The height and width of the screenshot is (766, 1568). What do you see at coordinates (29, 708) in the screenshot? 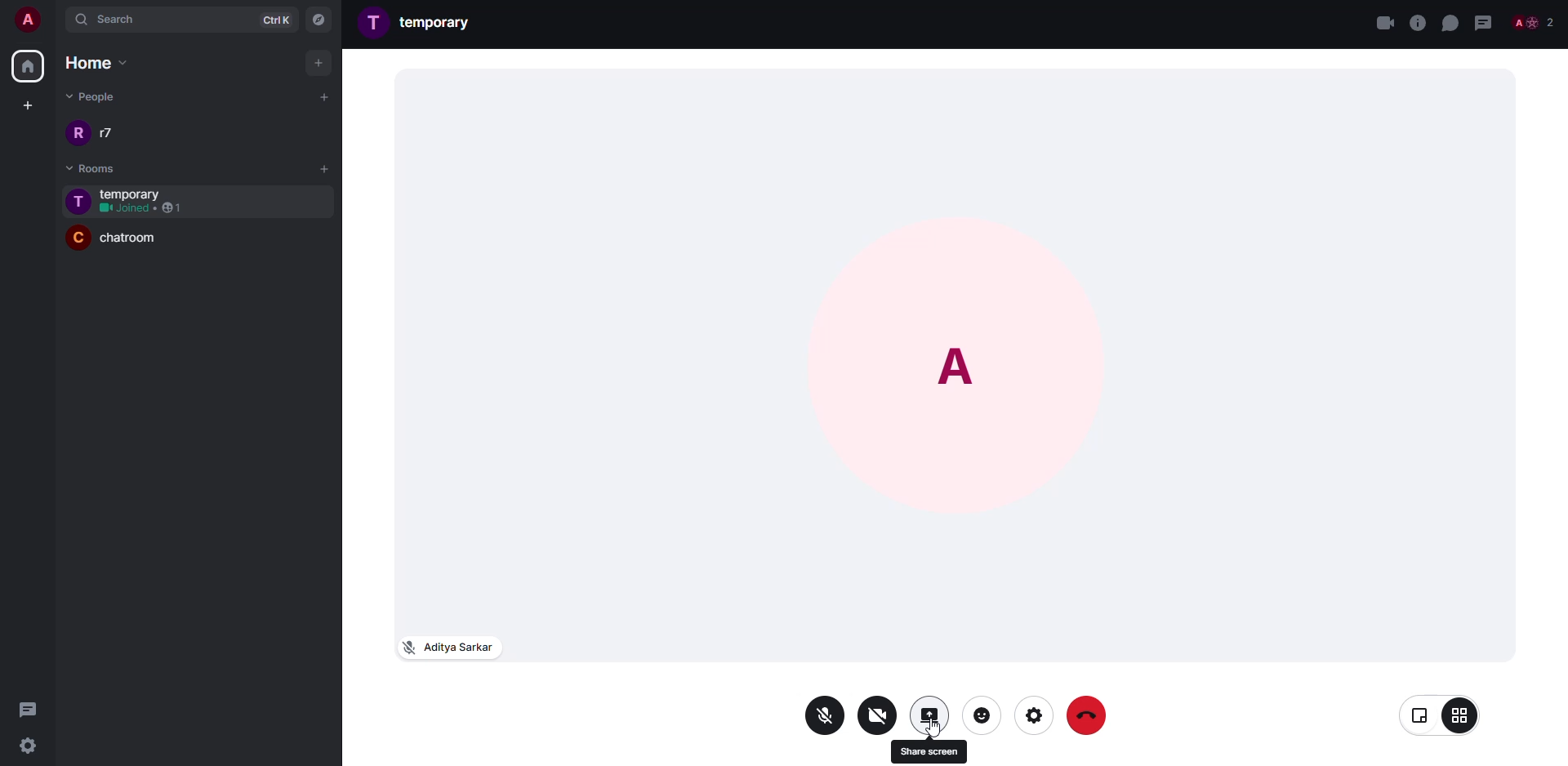
I see `threads` at bounding box center [29, 708].